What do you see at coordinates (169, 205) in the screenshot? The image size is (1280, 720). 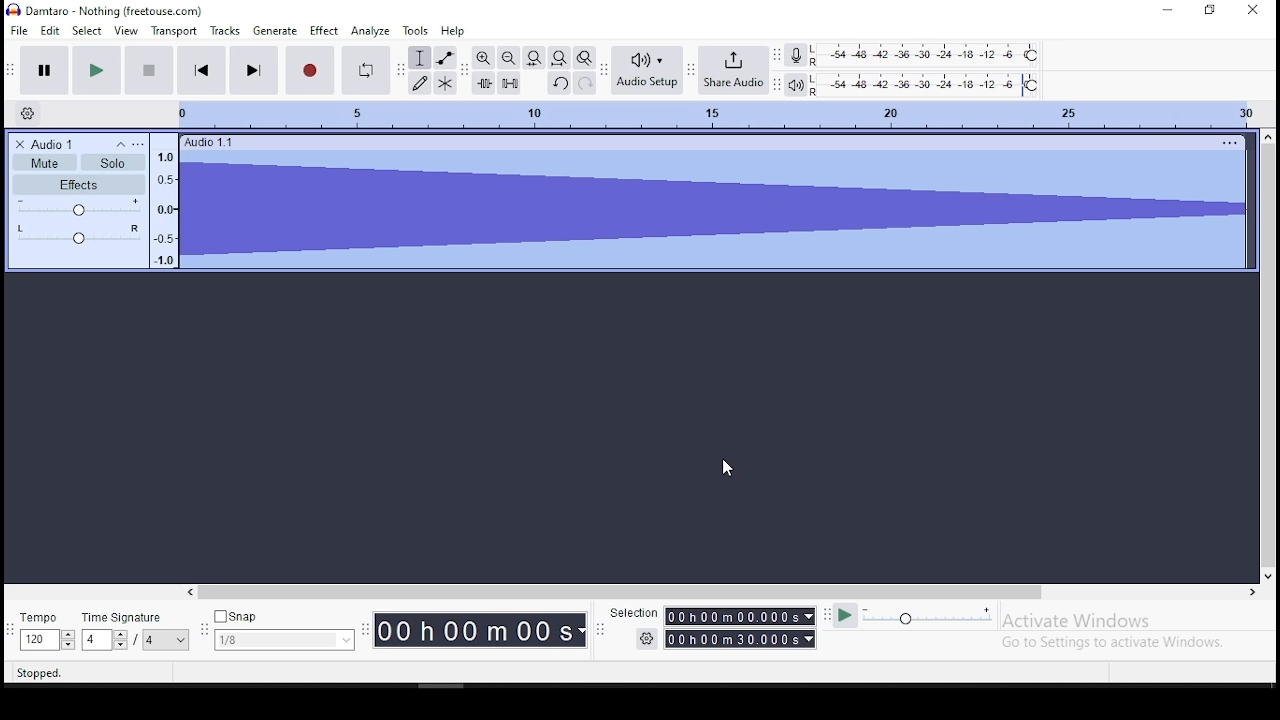 I see `scale` at bounding box center [169, 205].